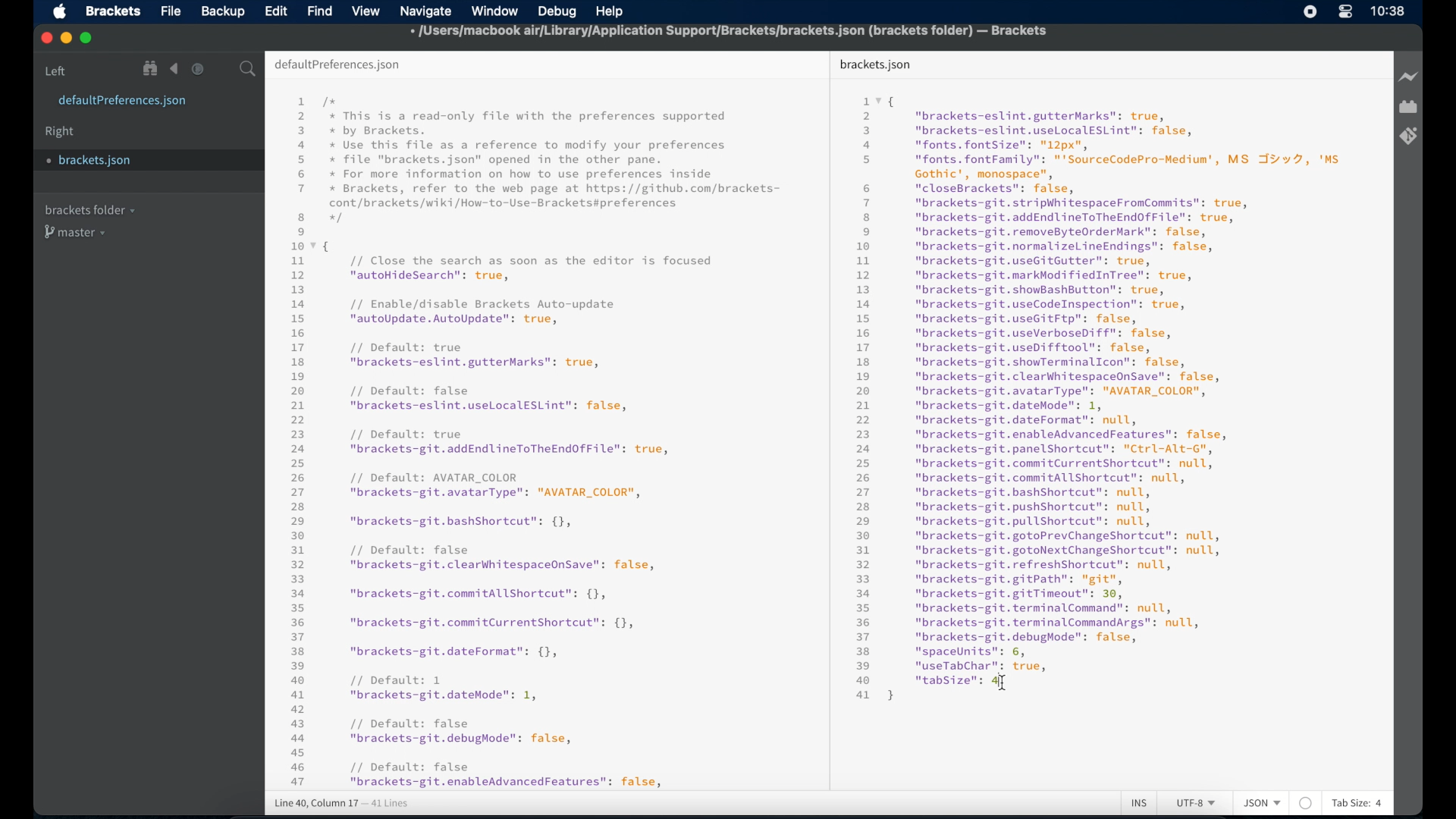  What do you see at coordinates (730, 33) in the screenshot?
I see `file name` at bounding box center [730, 33].